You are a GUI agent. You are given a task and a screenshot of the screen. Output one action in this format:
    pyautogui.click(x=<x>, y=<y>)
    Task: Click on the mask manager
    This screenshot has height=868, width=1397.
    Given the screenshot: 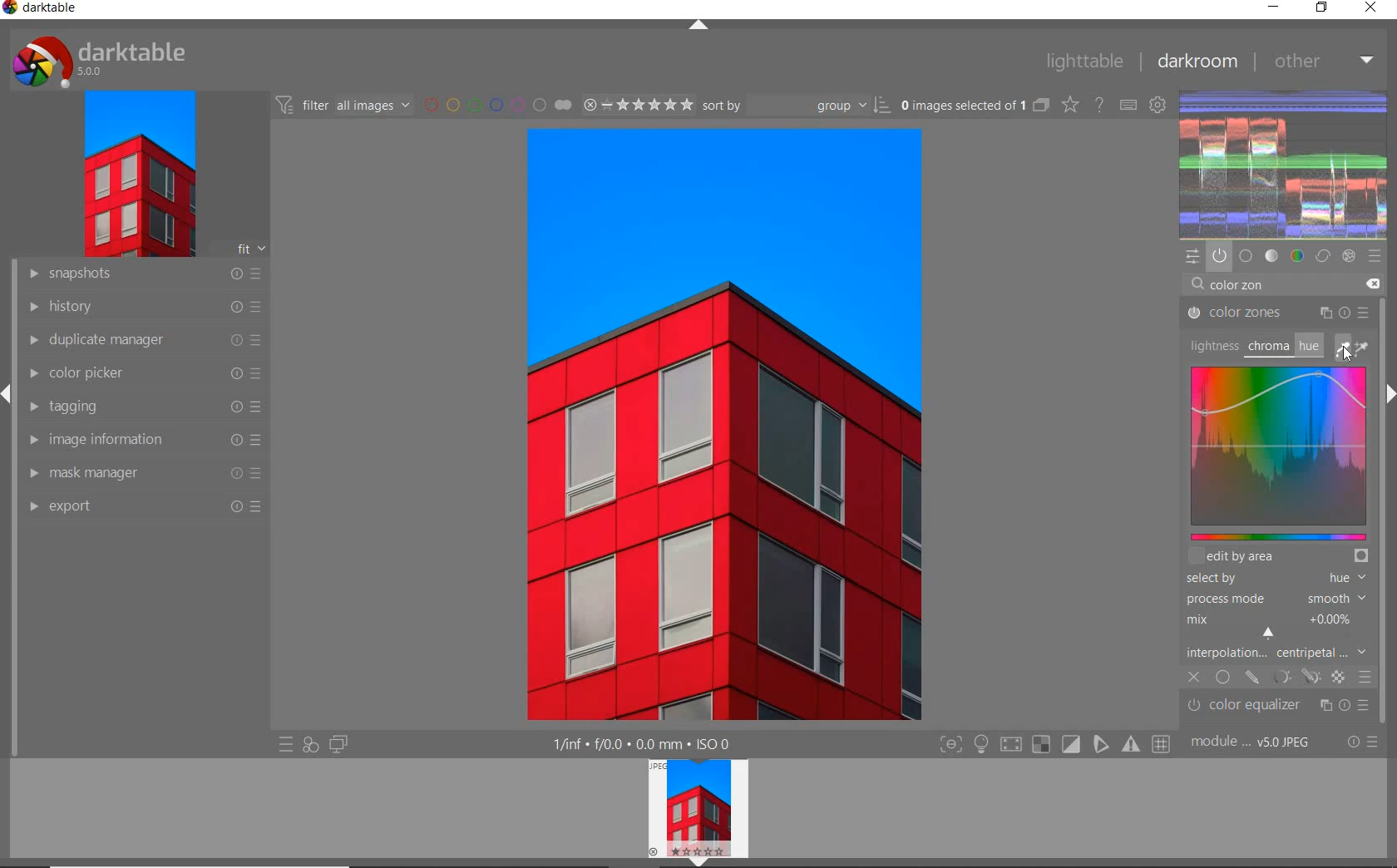 What is the action you would take?
    pyautogui.click(x=142, y=472)
    